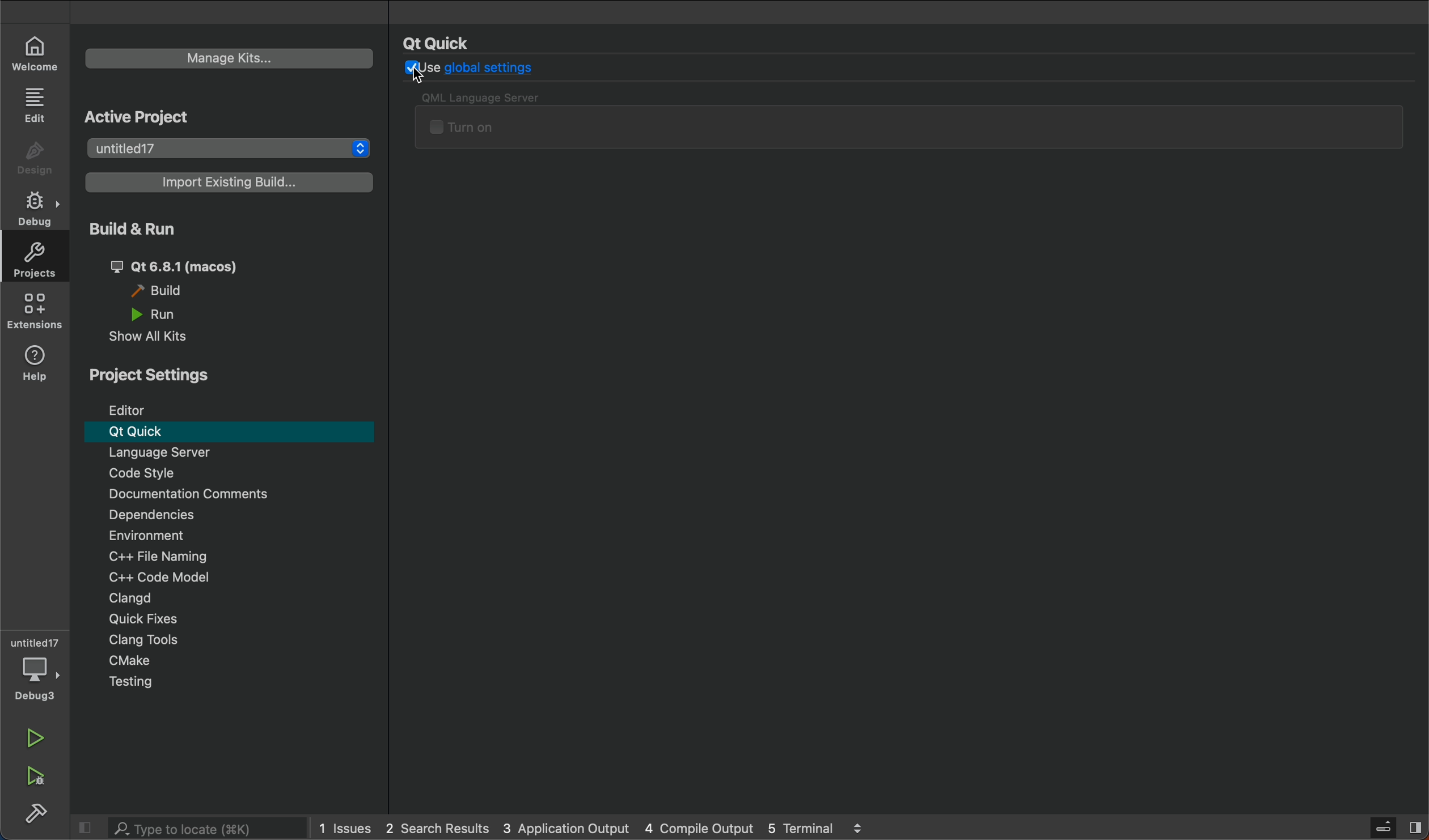 This screenshot has height=840, width=1429. Describe the element at coordinates (229, 58) in the screenshot. I see `manage kits` at that location.